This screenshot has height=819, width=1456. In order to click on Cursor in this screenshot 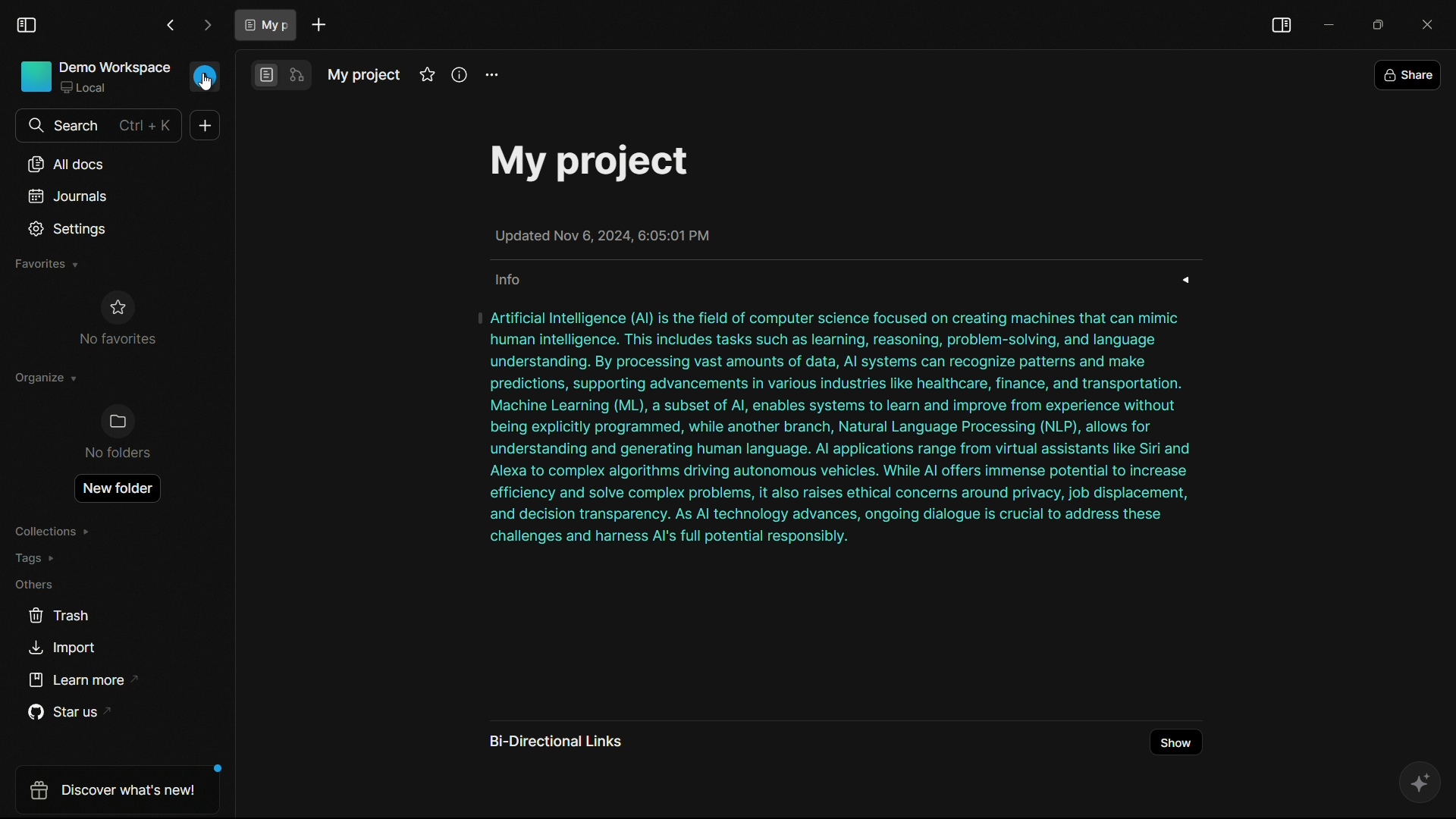, I will do `click(206, 83)`.